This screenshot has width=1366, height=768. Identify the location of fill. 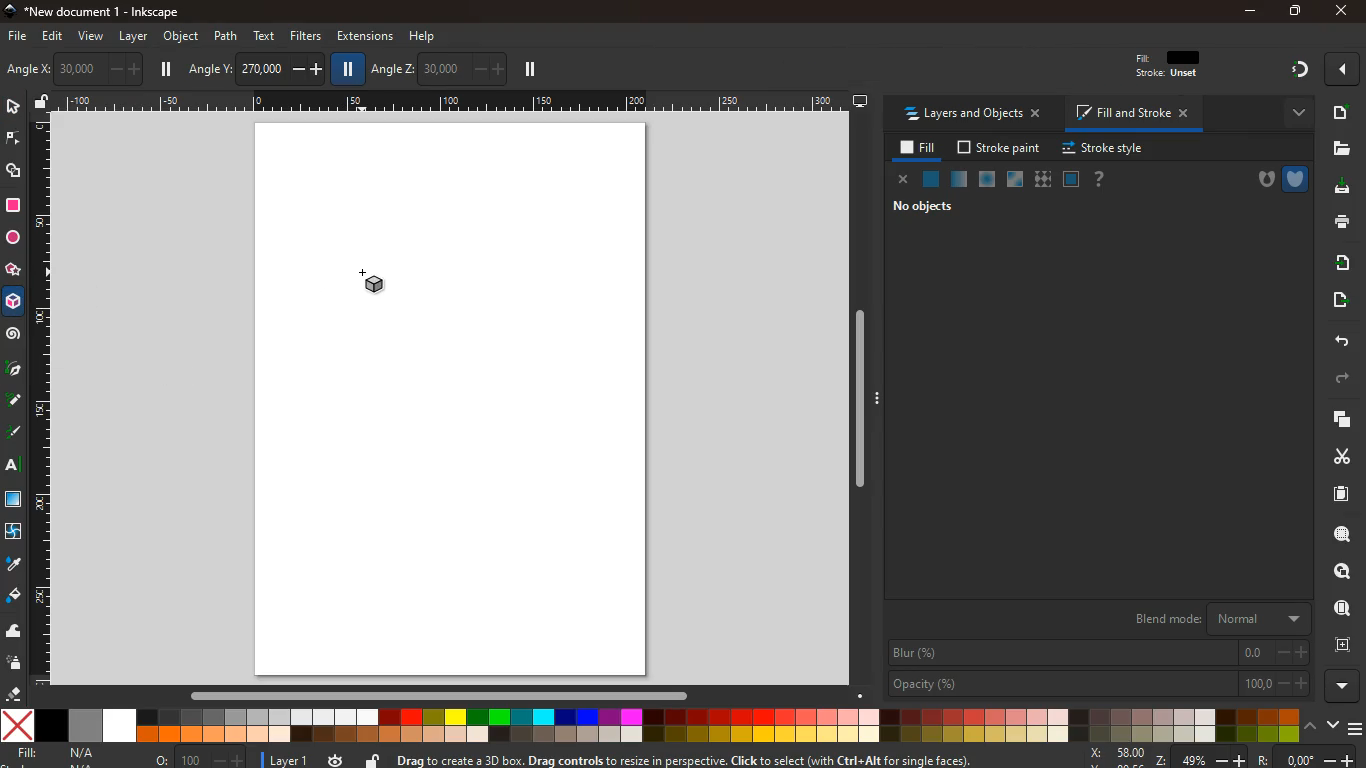
(915, 148).